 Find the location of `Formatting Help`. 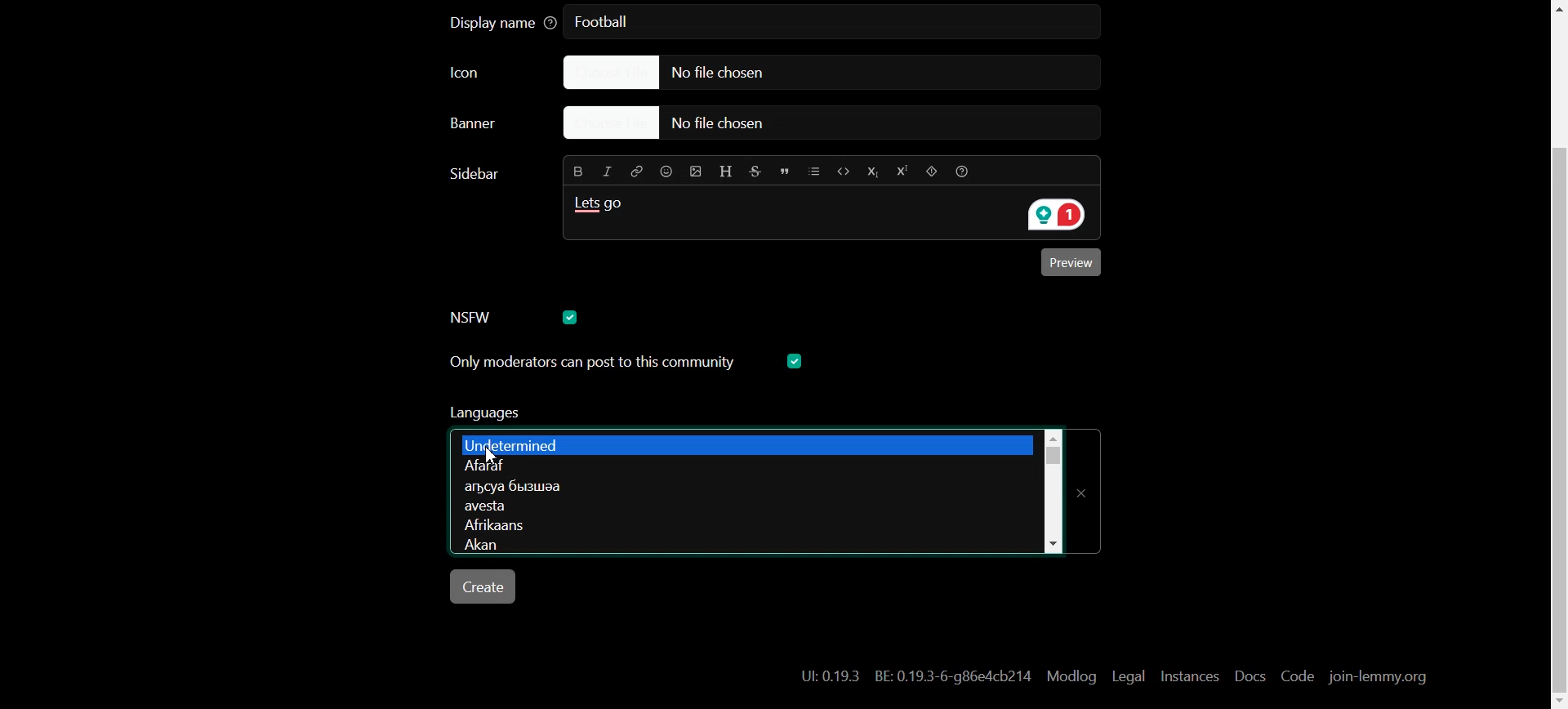

Formatting Help is located at coordinates (967, 171).